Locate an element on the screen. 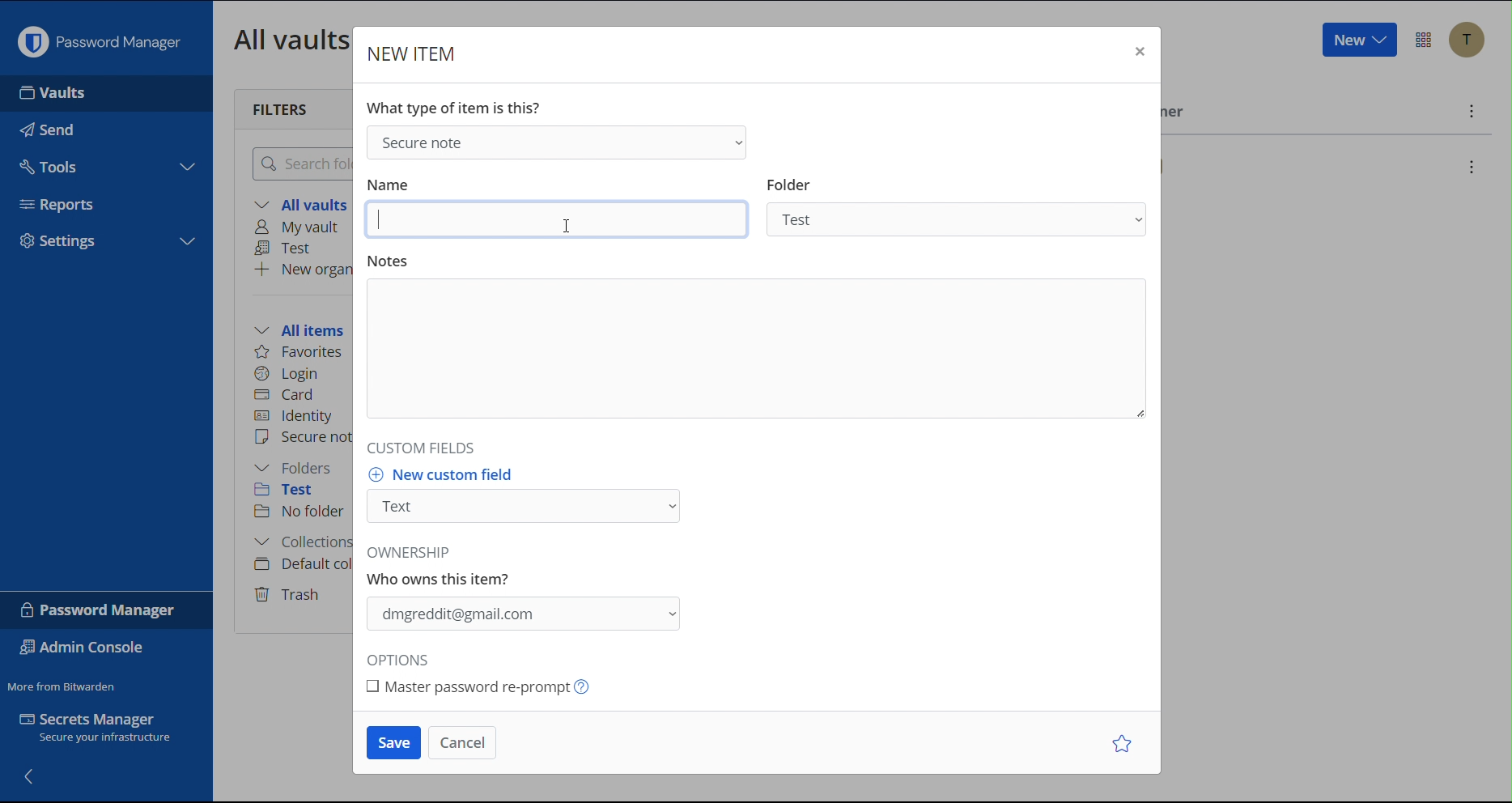 This screenshot has width=1512, height=803. More is located at coordinates (1469, 111).